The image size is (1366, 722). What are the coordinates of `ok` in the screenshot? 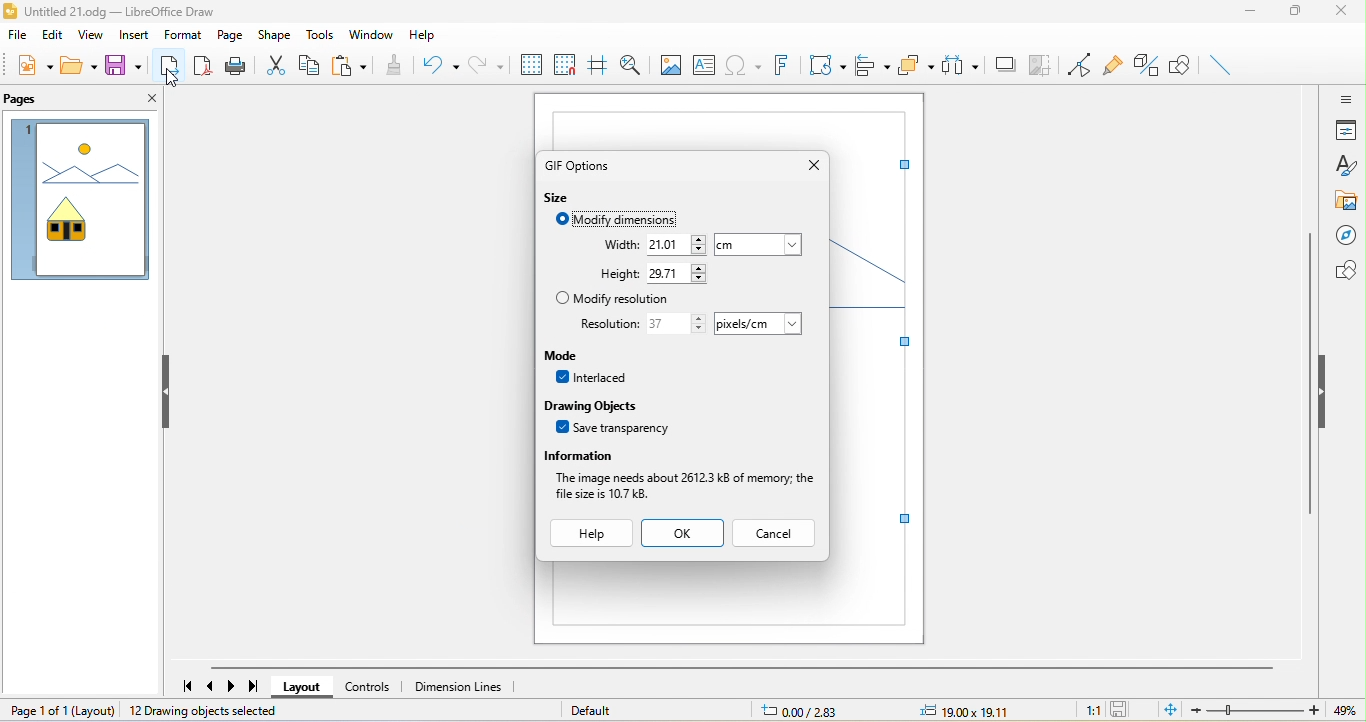 It's located at (685, 531).